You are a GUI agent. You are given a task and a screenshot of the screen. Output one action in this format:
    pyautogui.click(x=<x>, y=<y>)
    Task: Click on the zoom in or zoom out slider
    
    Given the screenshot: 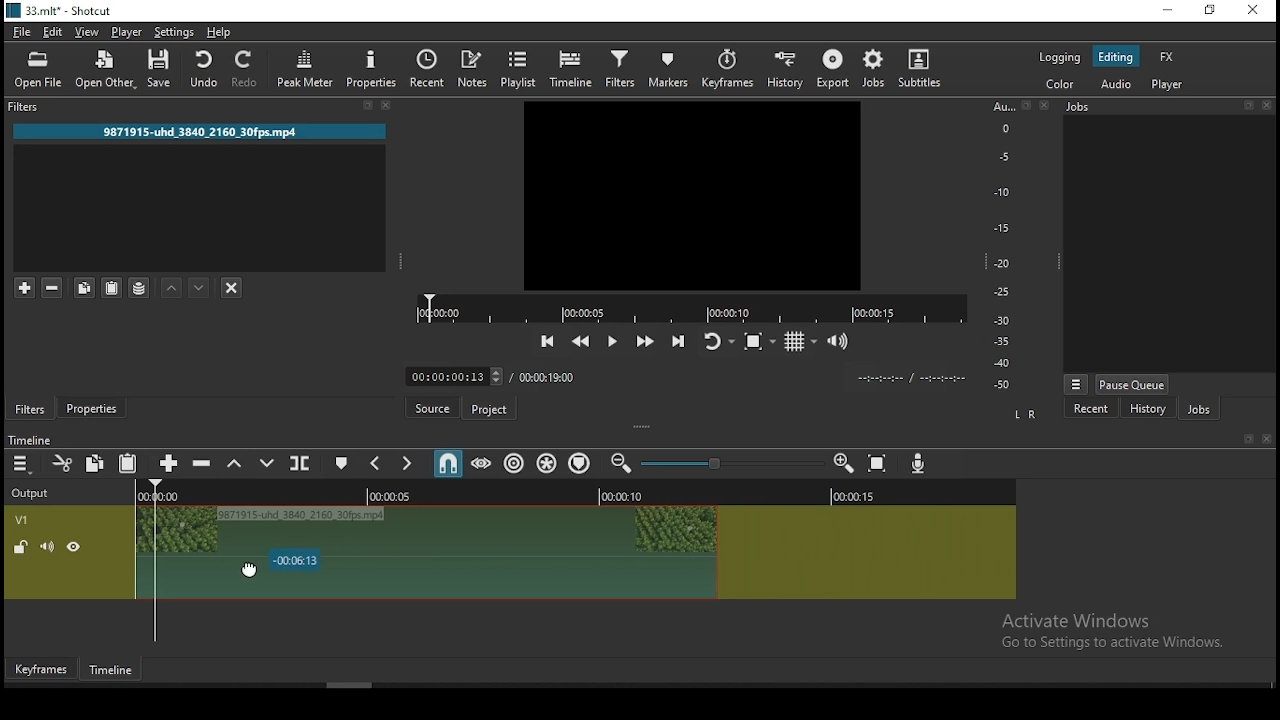 What is the action you would take?
    pyautogui.click(x=727, y=464)
    